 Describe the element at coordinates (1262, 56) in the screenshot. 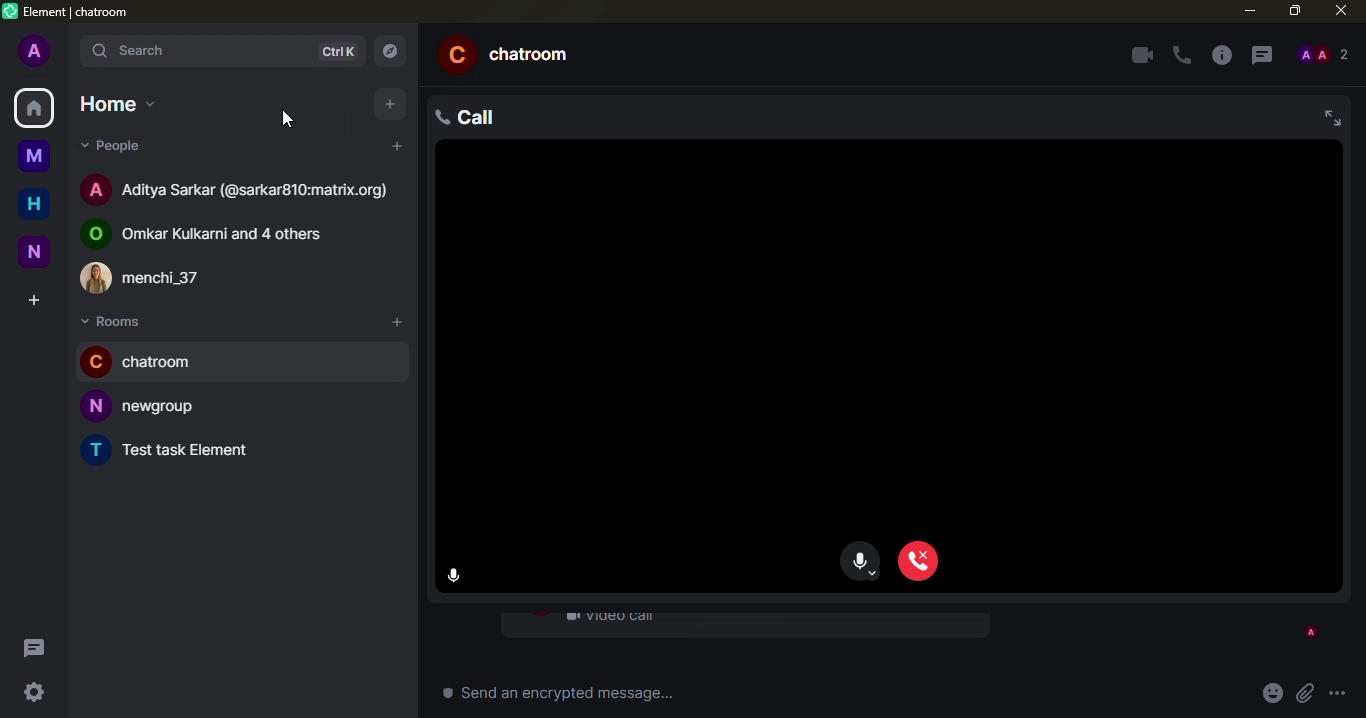

I see `threads` at that location.